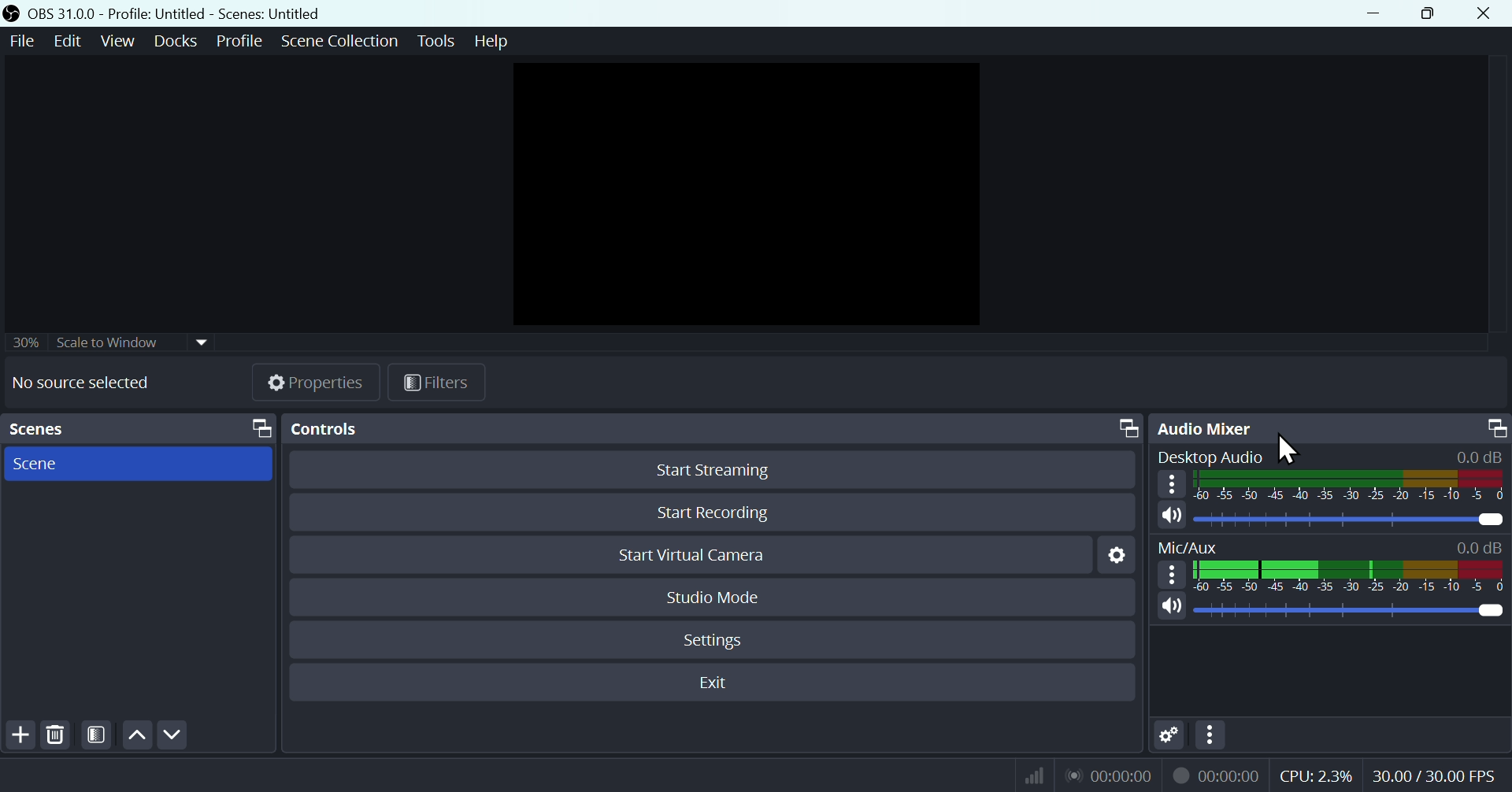 This screenshot has width=1512, height=792. What do you see at coordinates (235, 38) in the screenshot?
I see `Profile` at bounding box center [235, 38].